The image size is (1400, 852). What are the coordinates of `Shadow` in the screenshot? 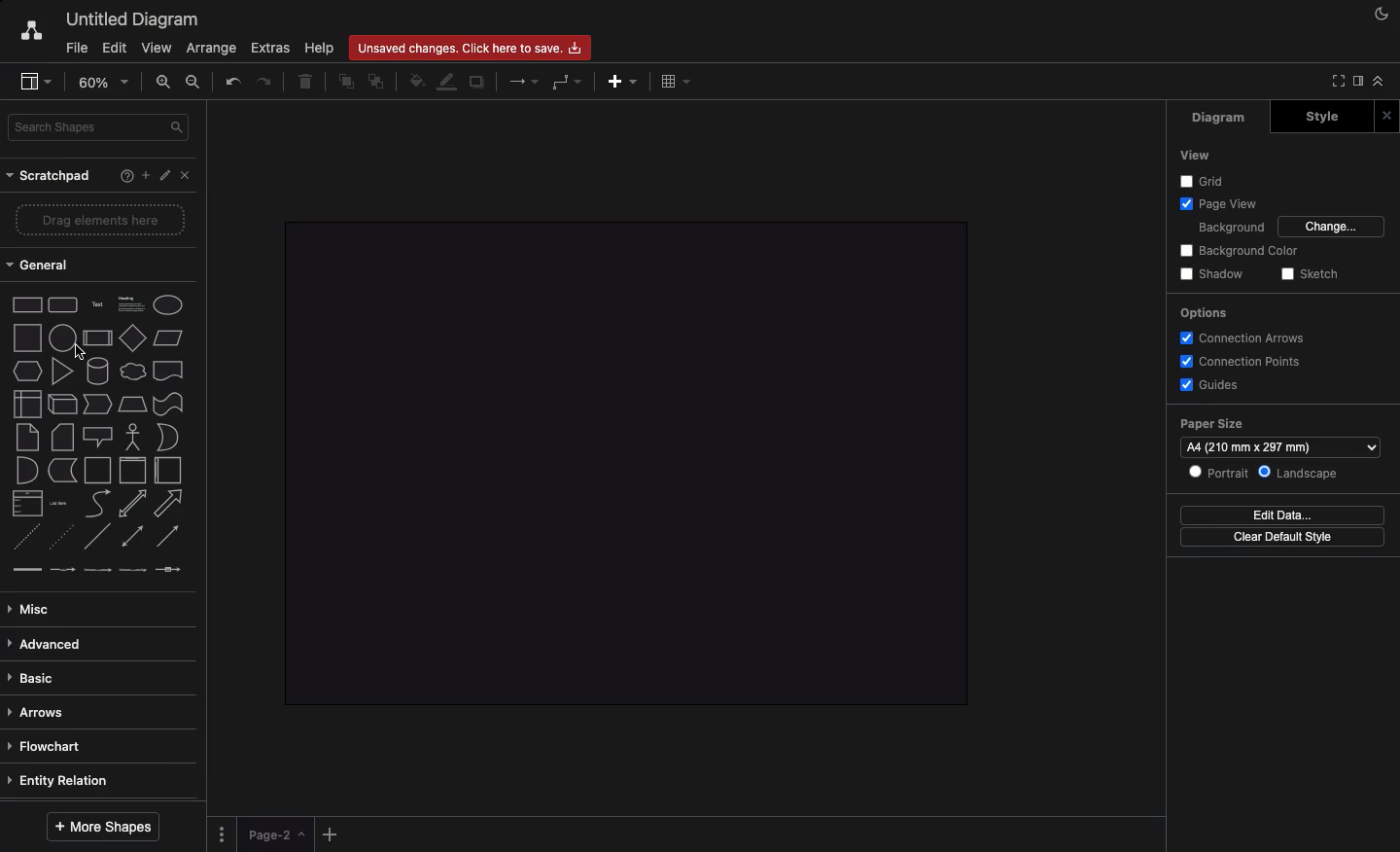 It's located at (1213, 274).